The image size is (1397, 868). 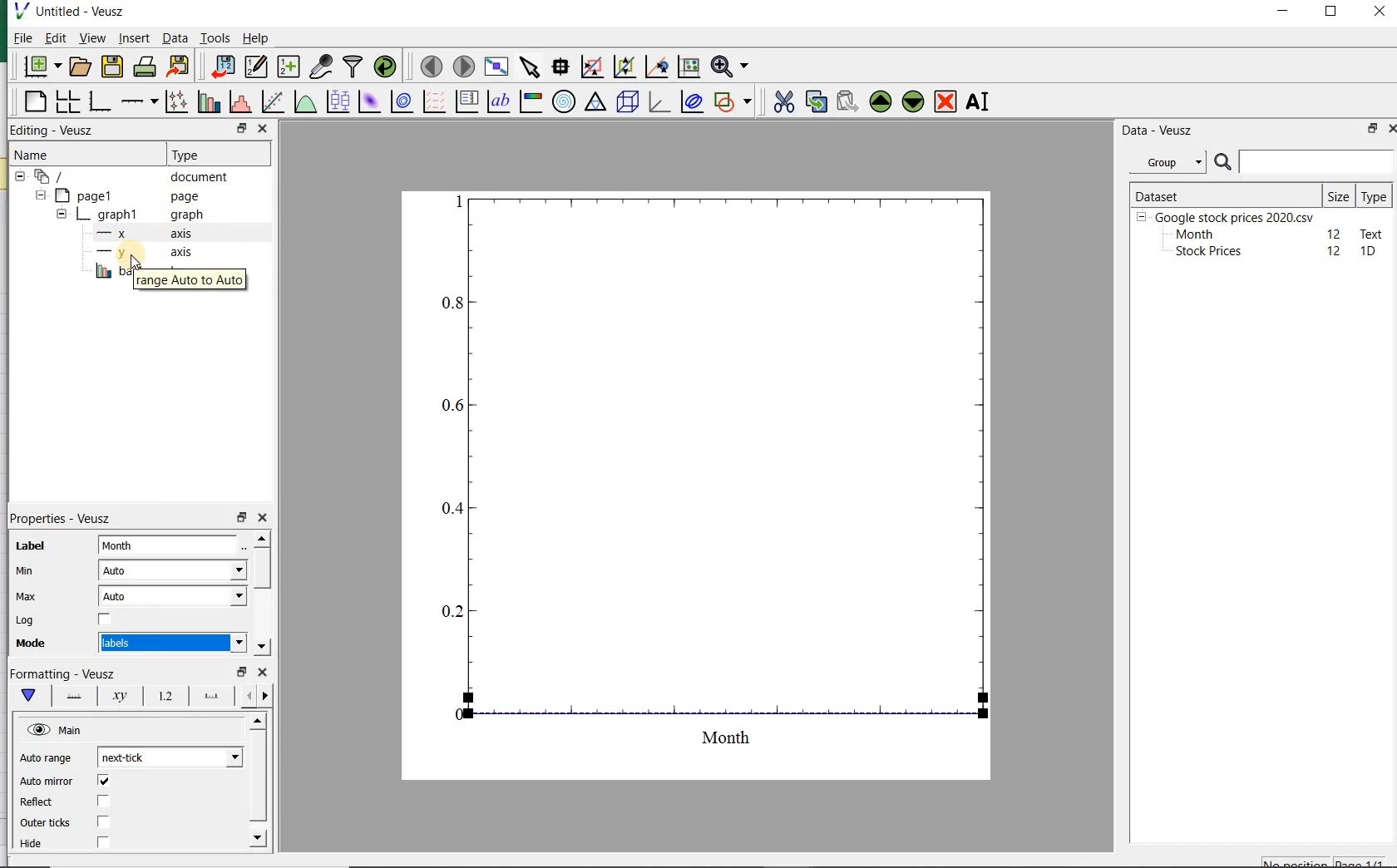 What do you see at coordinates (258, 40) in the screenshot?
I see `Help` at bounding box center [258, 40].